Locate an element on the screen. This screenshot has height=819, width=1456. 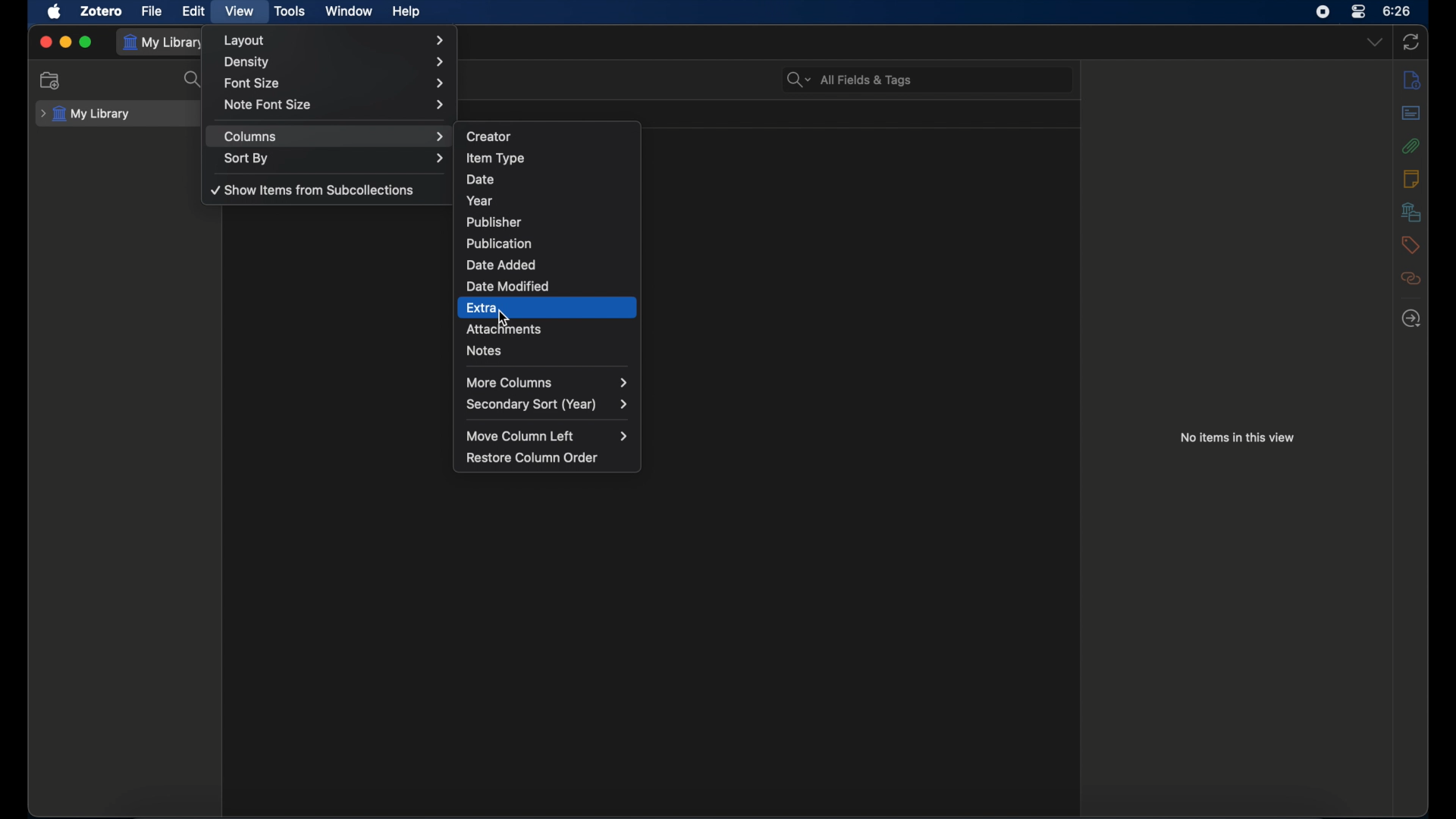
more columns is located at coordinates (547, 382).